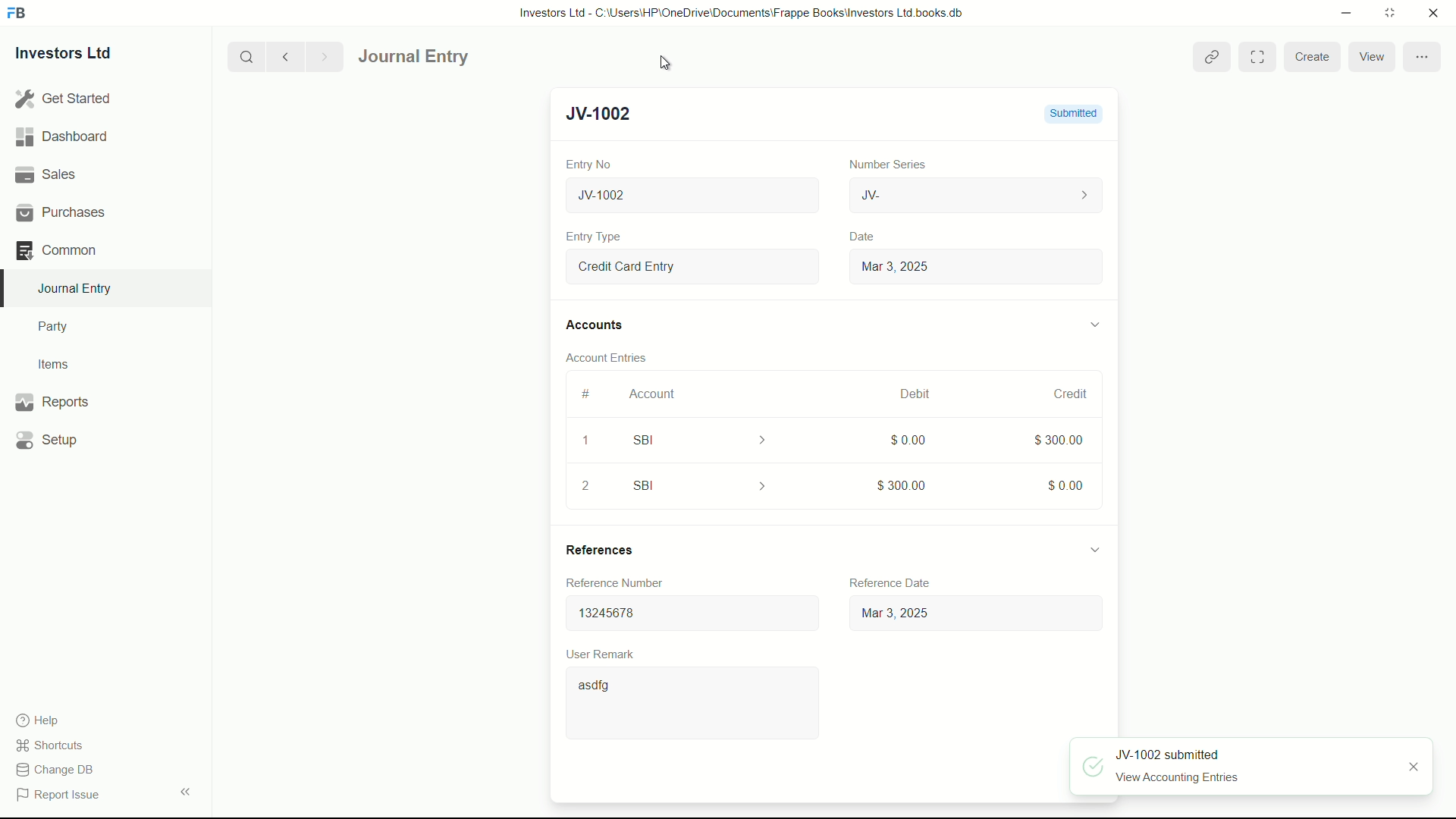 The width and height of the screenshot is (1456, 819). I want to click on expand/collapse, so click(1094, 322).